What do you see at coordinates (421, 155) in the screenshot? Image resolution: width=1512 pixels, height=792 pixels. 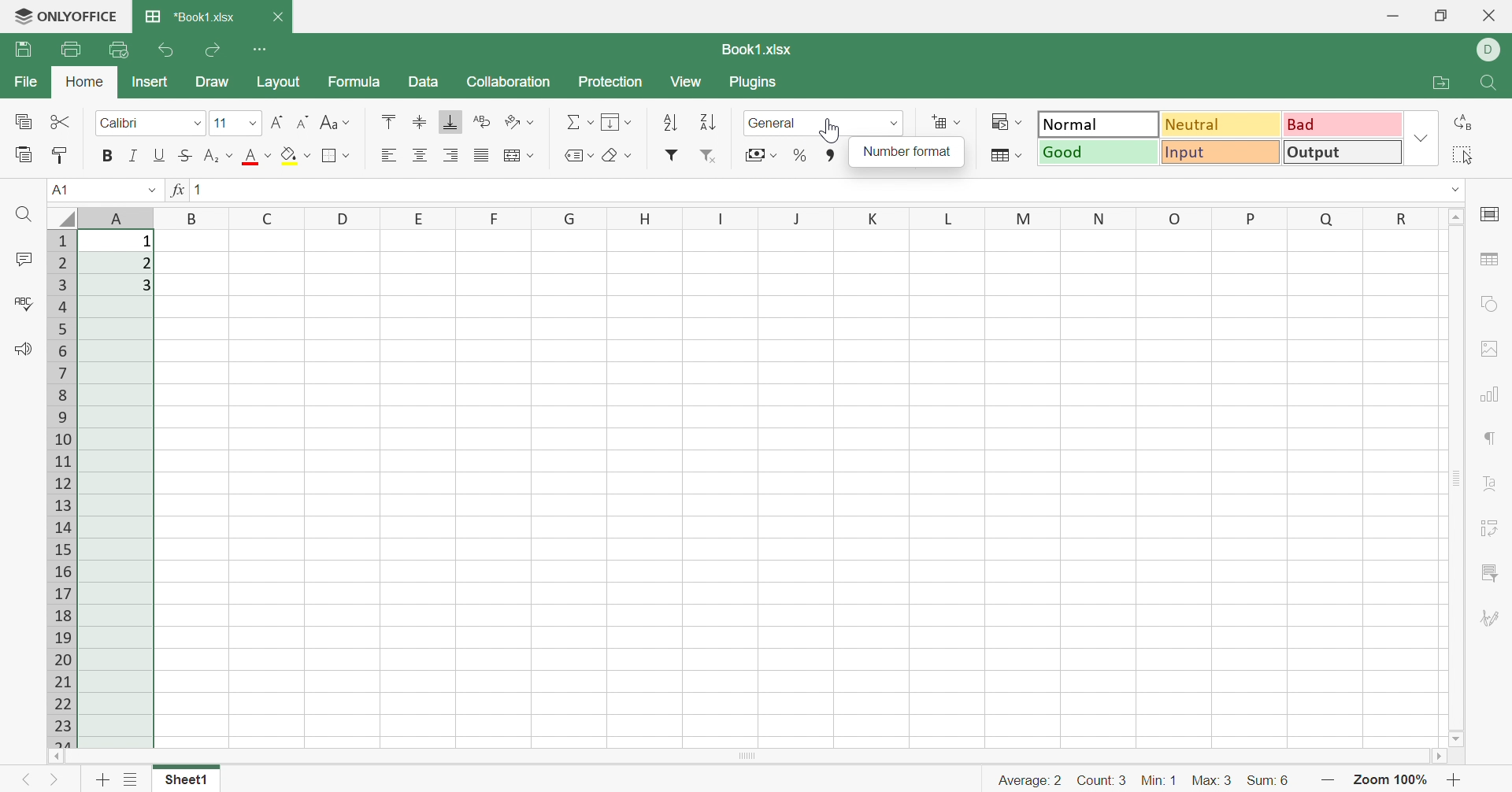 I see `Align middle` at bounding box center [421, 155].